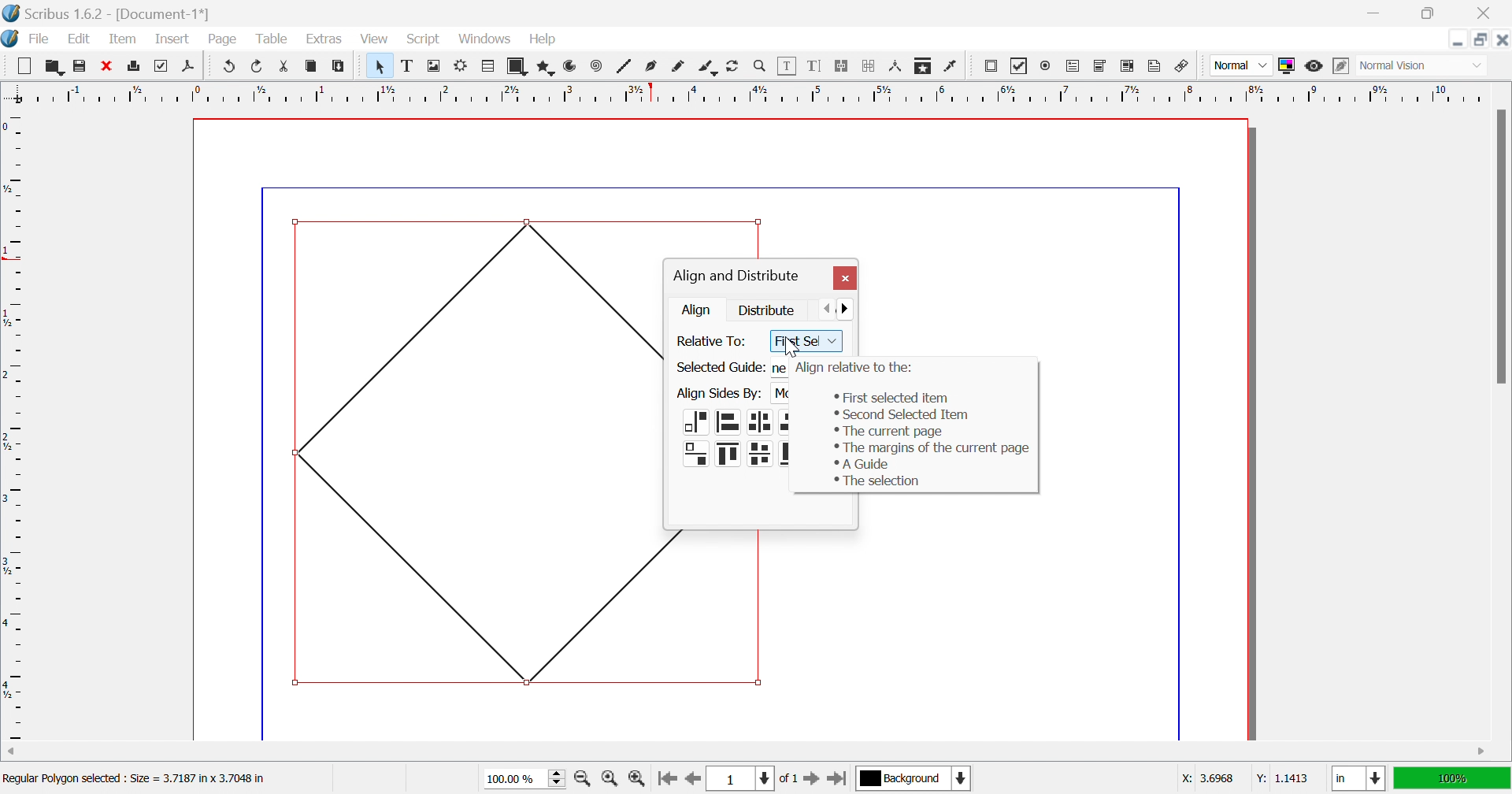 The width and height of the screenshot is (1512, 794). Describe the element at coordinates (738, 779) in the screenshot. I see `1` at that location.